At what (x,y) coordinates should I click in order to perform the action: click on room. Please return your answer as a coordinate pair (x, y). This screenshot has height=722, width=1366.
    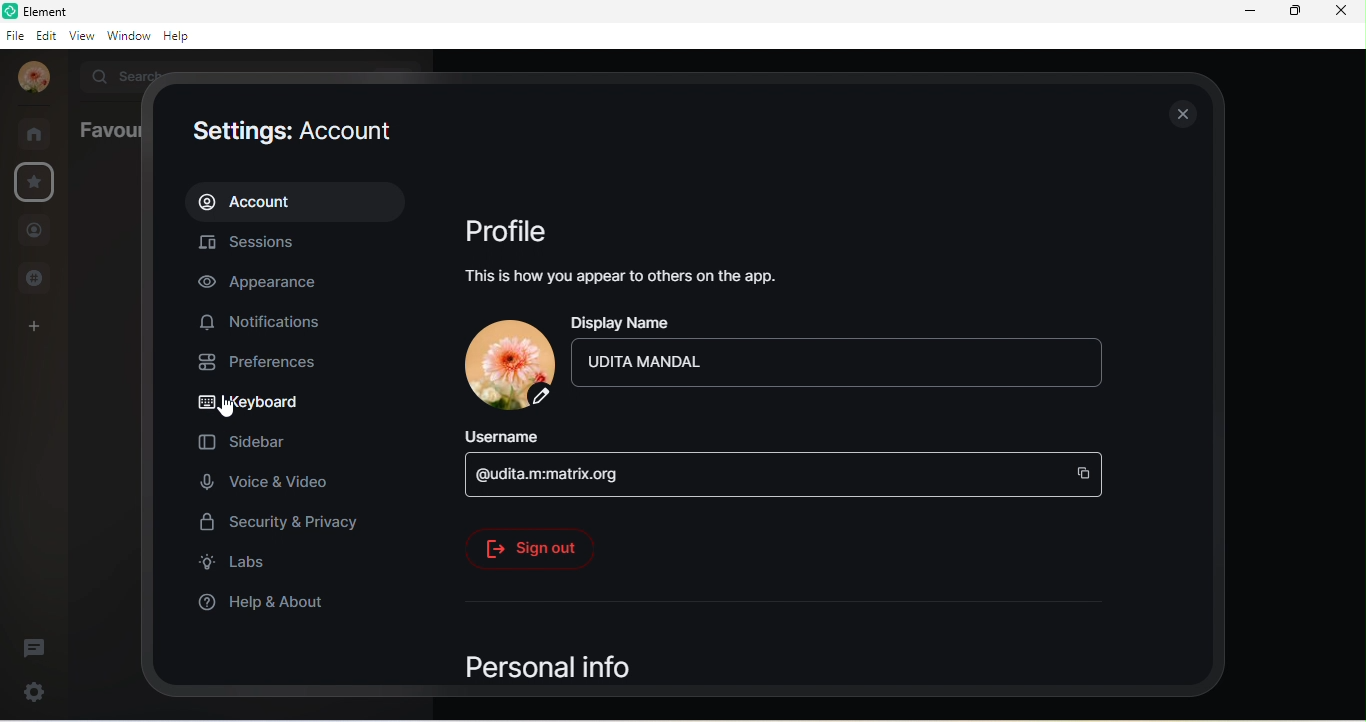
    Looking at the image, I should click on (36, 132).